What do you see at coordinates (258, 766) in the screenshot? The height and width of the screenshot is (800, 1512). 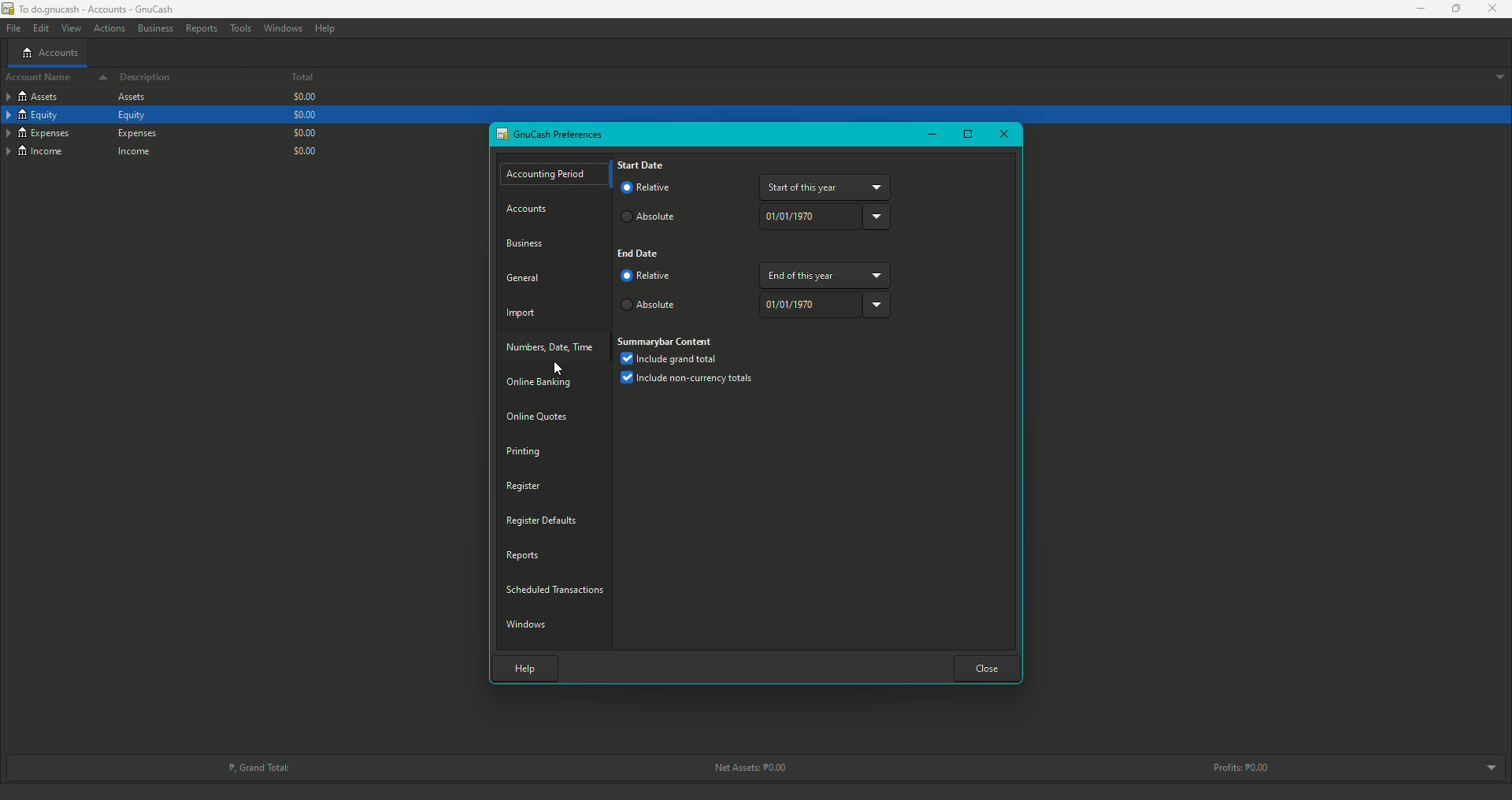 I see `Grand Total` at bounding box center [258, 766].